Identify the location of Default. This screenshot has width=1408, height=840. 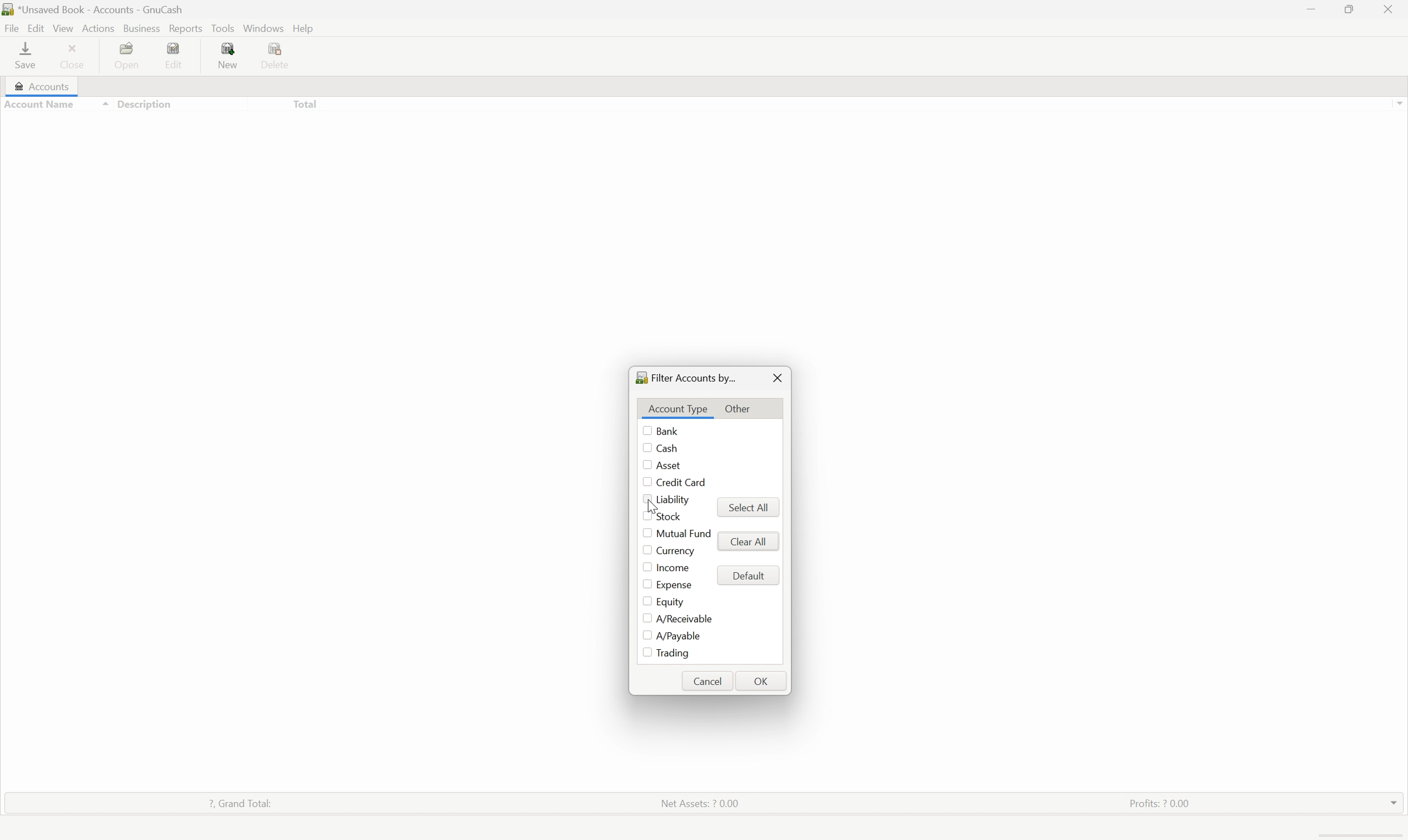
(749, 576).